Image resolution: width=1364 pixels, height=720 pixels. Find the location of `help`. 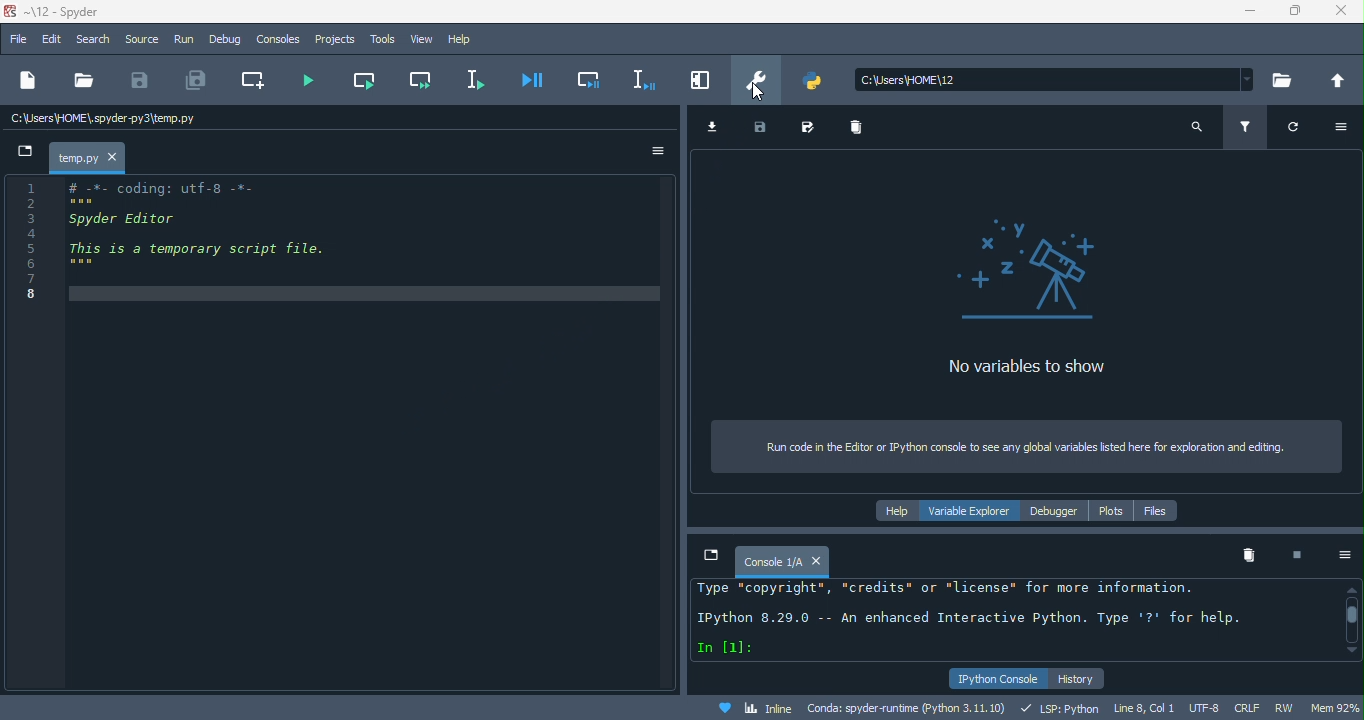

help is located at coordinates (470, 39).